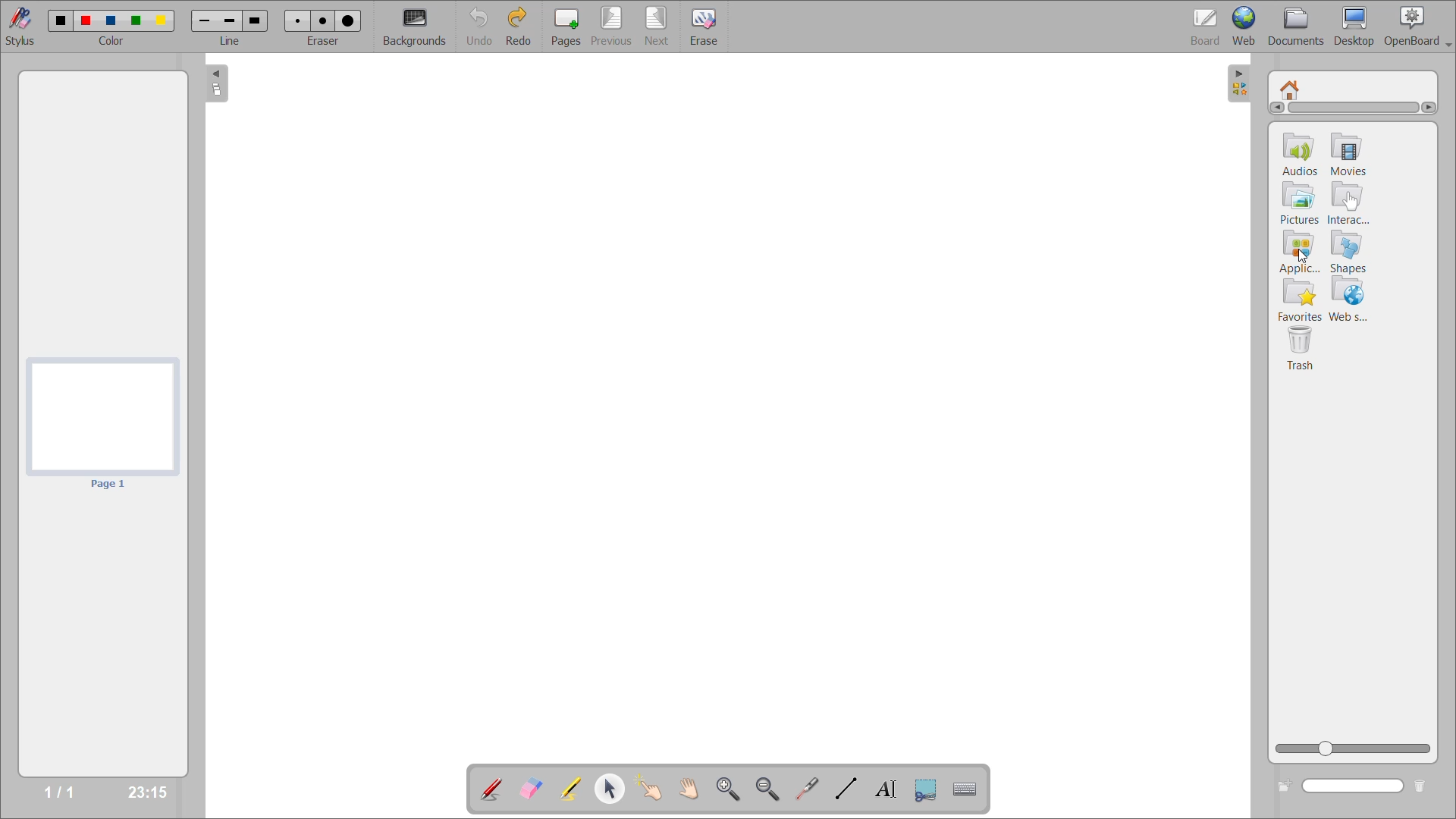 The width and height of the screenshot is (1456, 819). Describe the element at coordinates (576, 790) in the screenshot. I see `highlight` at that location.